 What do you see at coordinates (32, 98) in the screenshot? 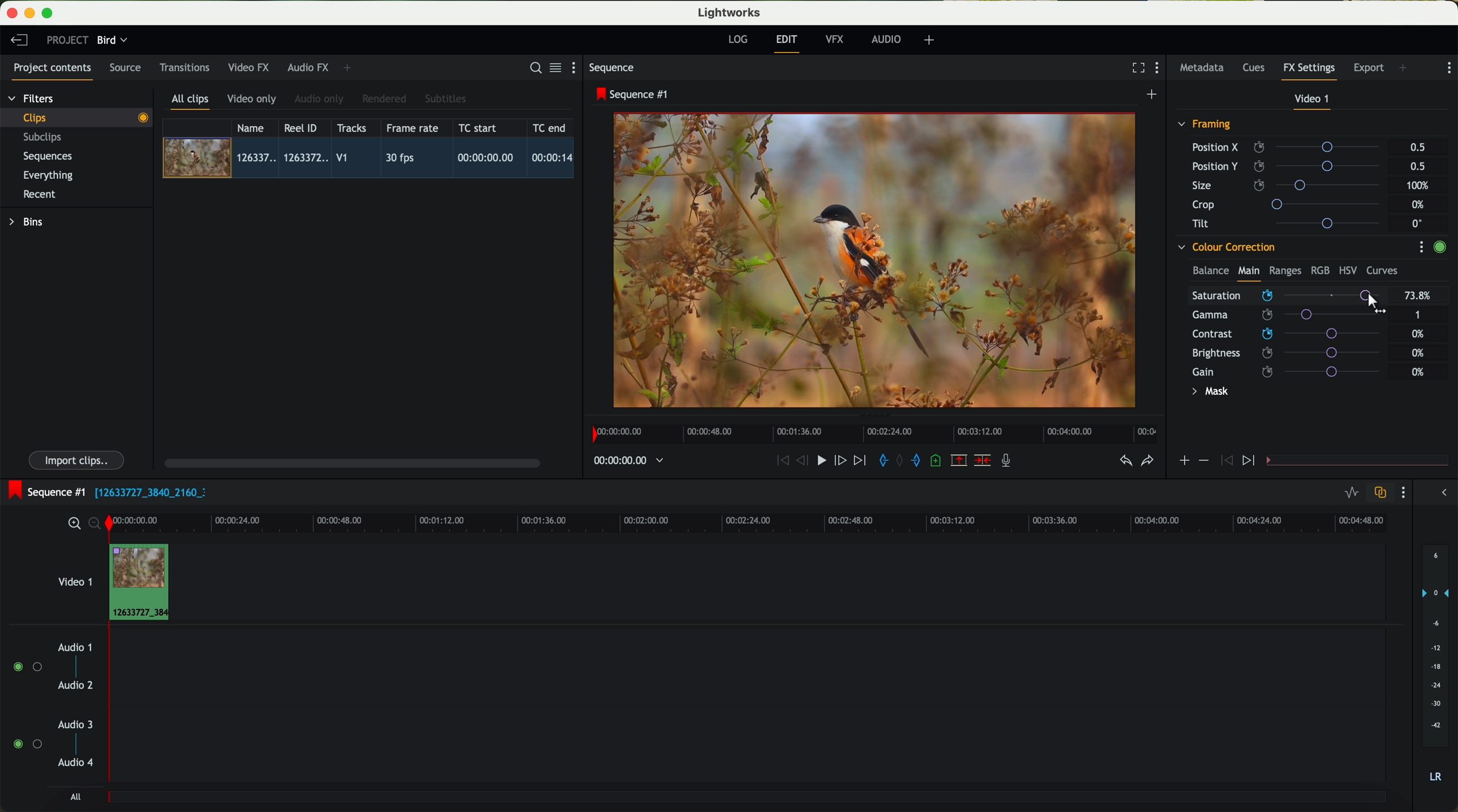
I see `filters` at bounding box center [32, 98].